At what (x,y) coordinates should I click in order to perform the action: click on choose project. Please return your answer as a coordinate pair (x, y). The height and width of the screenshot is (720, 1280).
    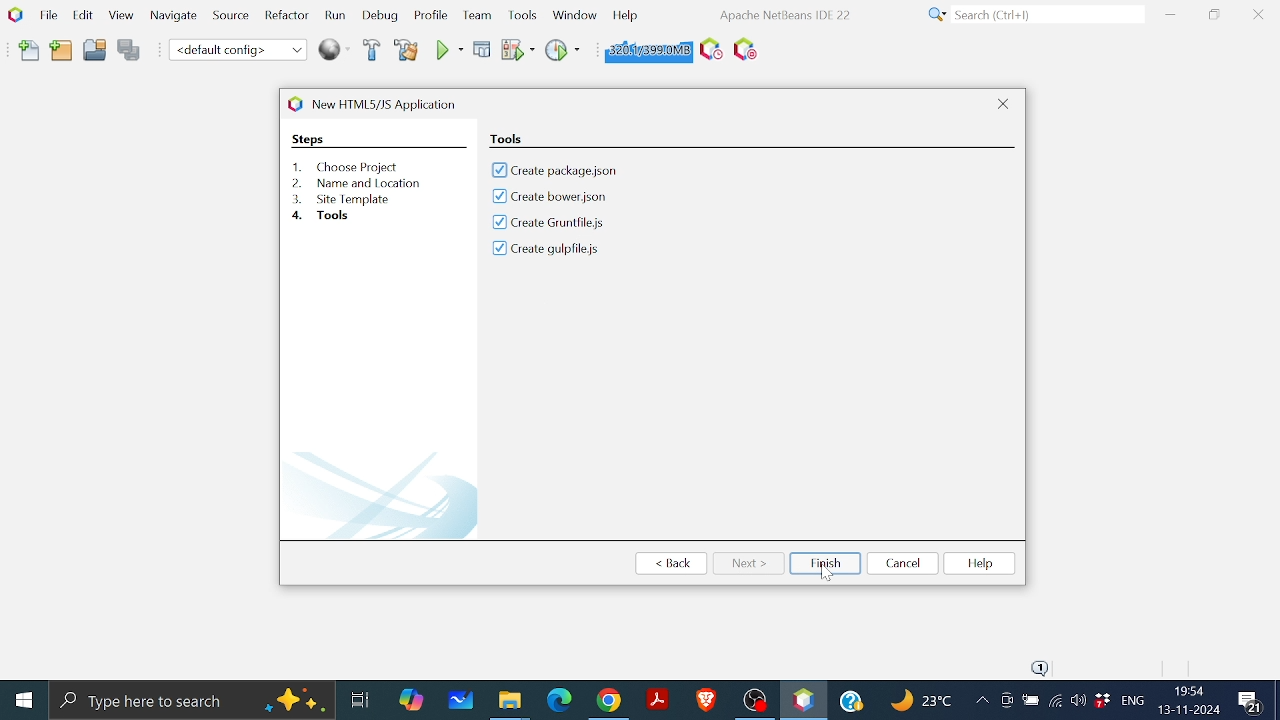
    Looking at the image, I should click on (542, 138).